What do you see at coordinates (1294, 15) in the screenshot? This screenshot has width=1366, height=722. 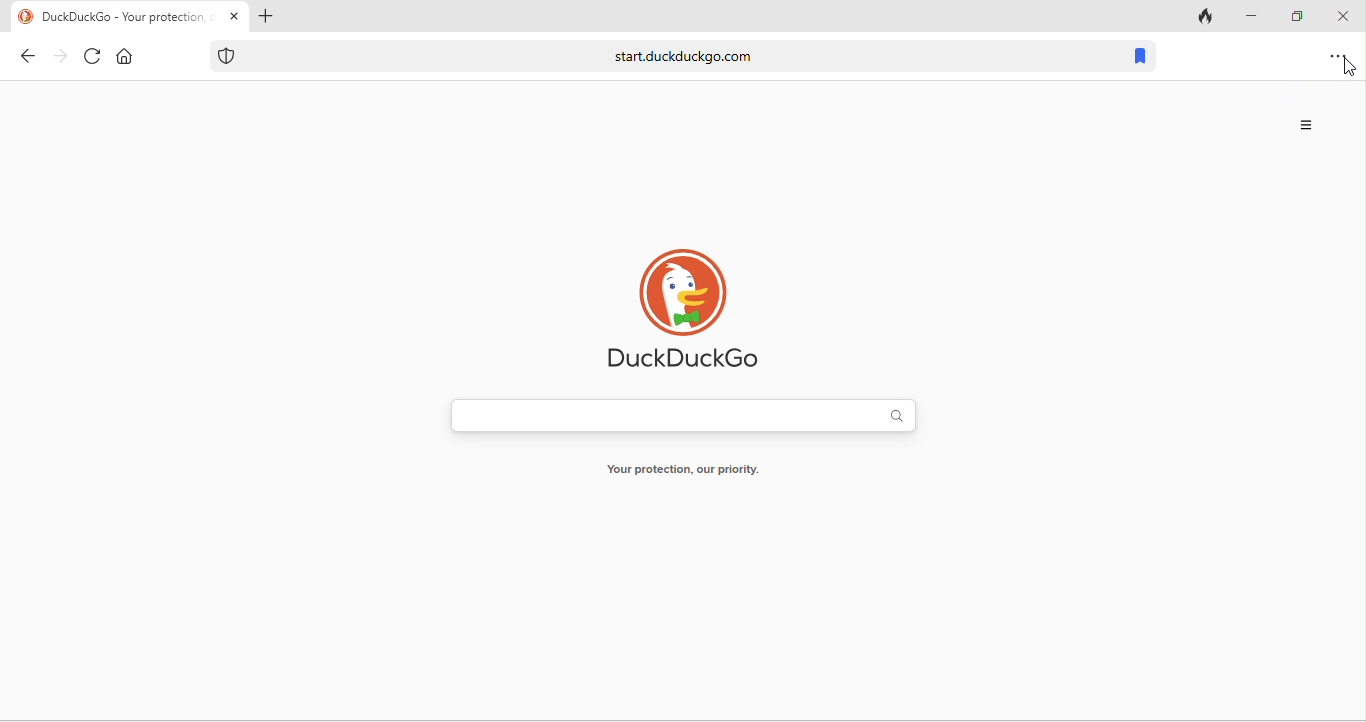 I see `maximize` at bounding box center [1294, 15].